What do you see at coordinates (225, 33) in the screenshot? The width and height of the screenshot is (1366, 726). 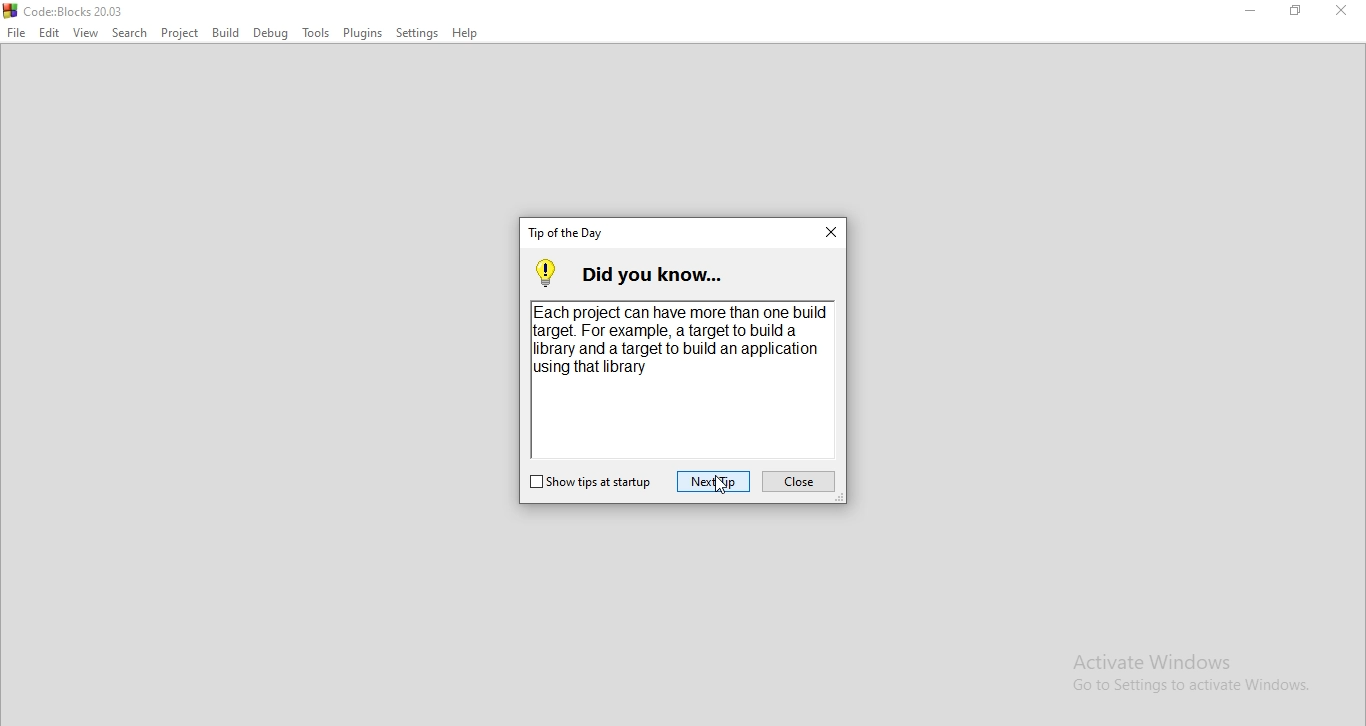 I see `Build ` at bounding box center [225, 33].